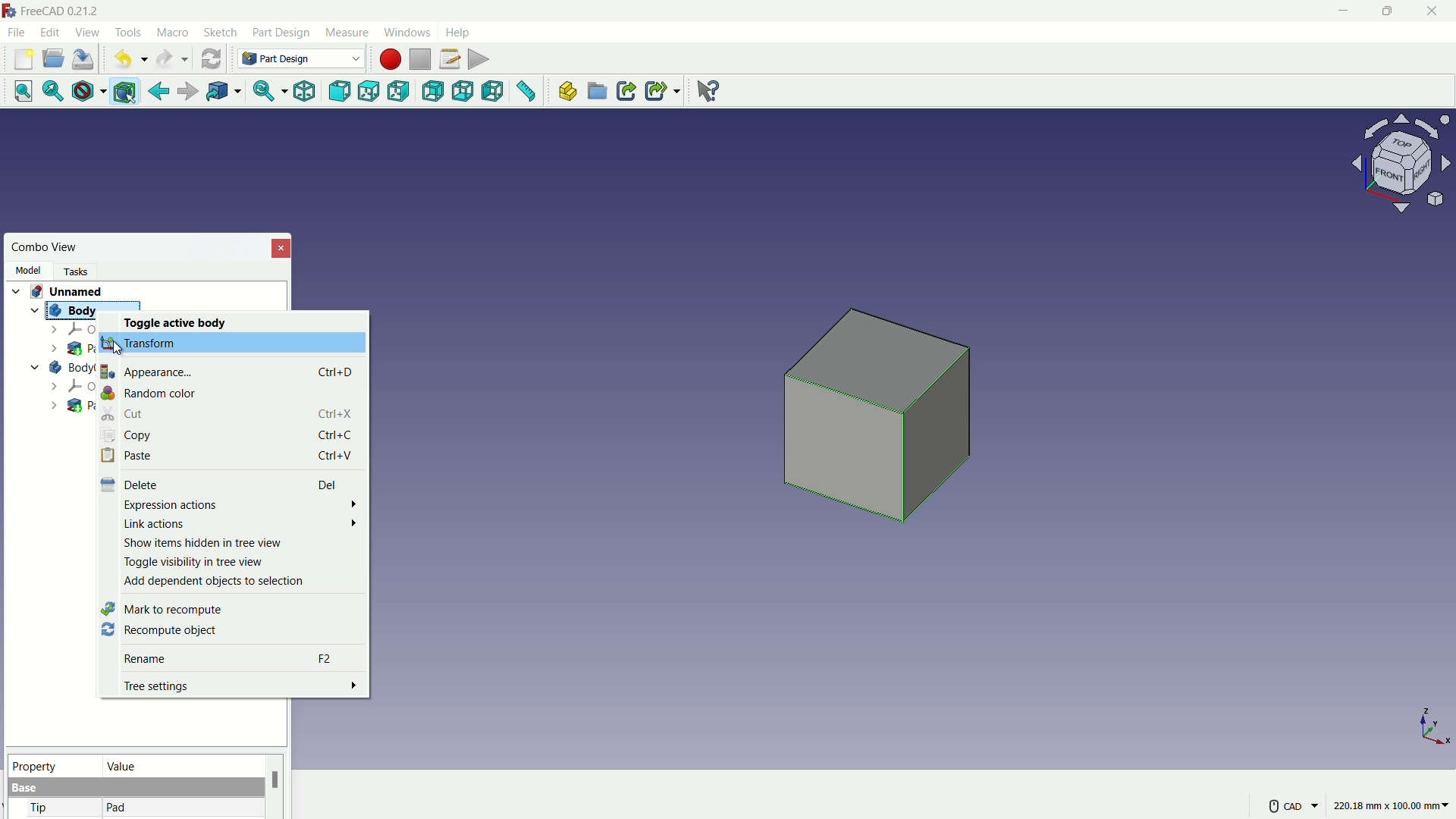  What do you see at coordinates (141, 343) in the screenshot?
I see `transform` at bounding box center [141, 343].